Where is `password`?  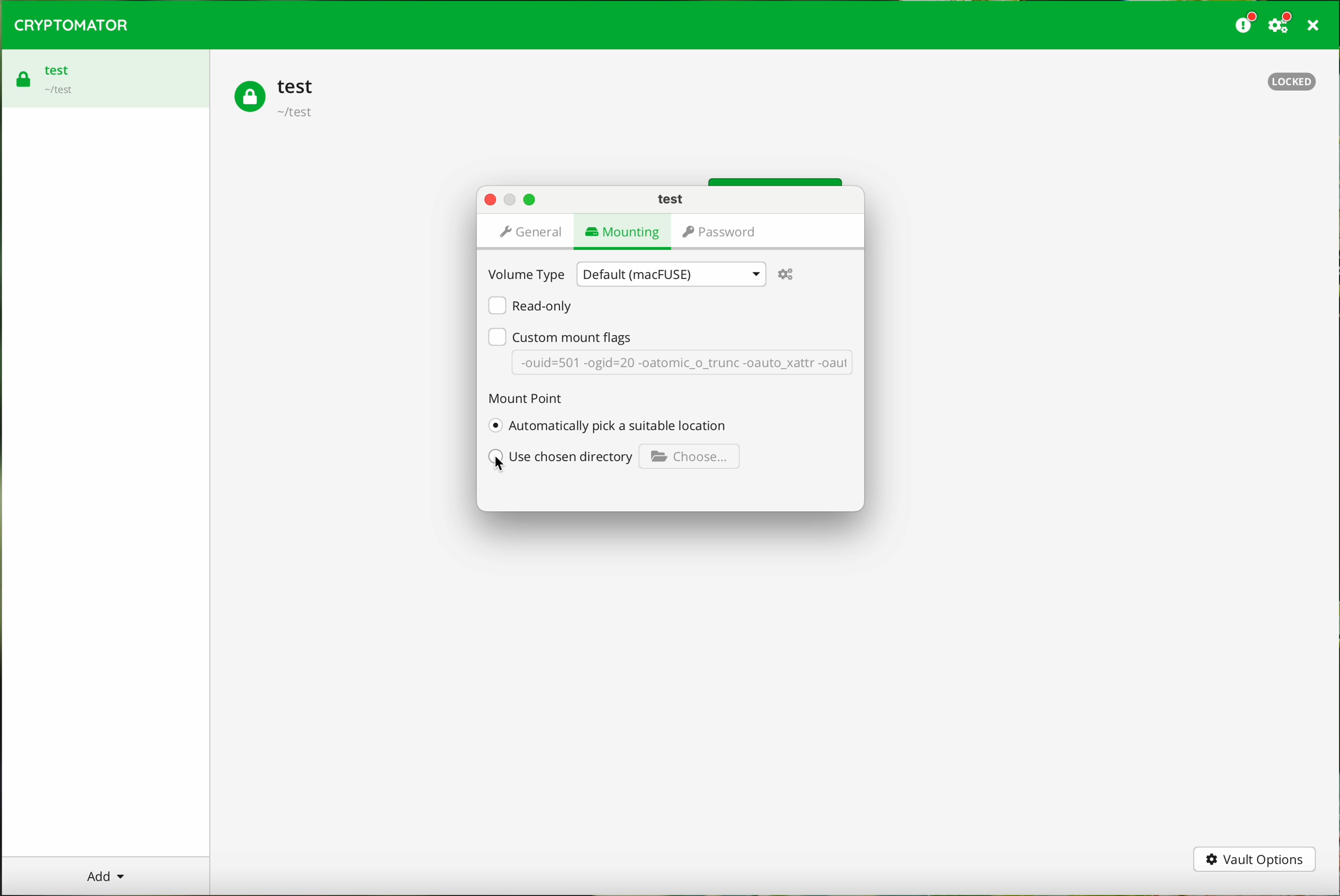 password is located at coordinates (716, 232).